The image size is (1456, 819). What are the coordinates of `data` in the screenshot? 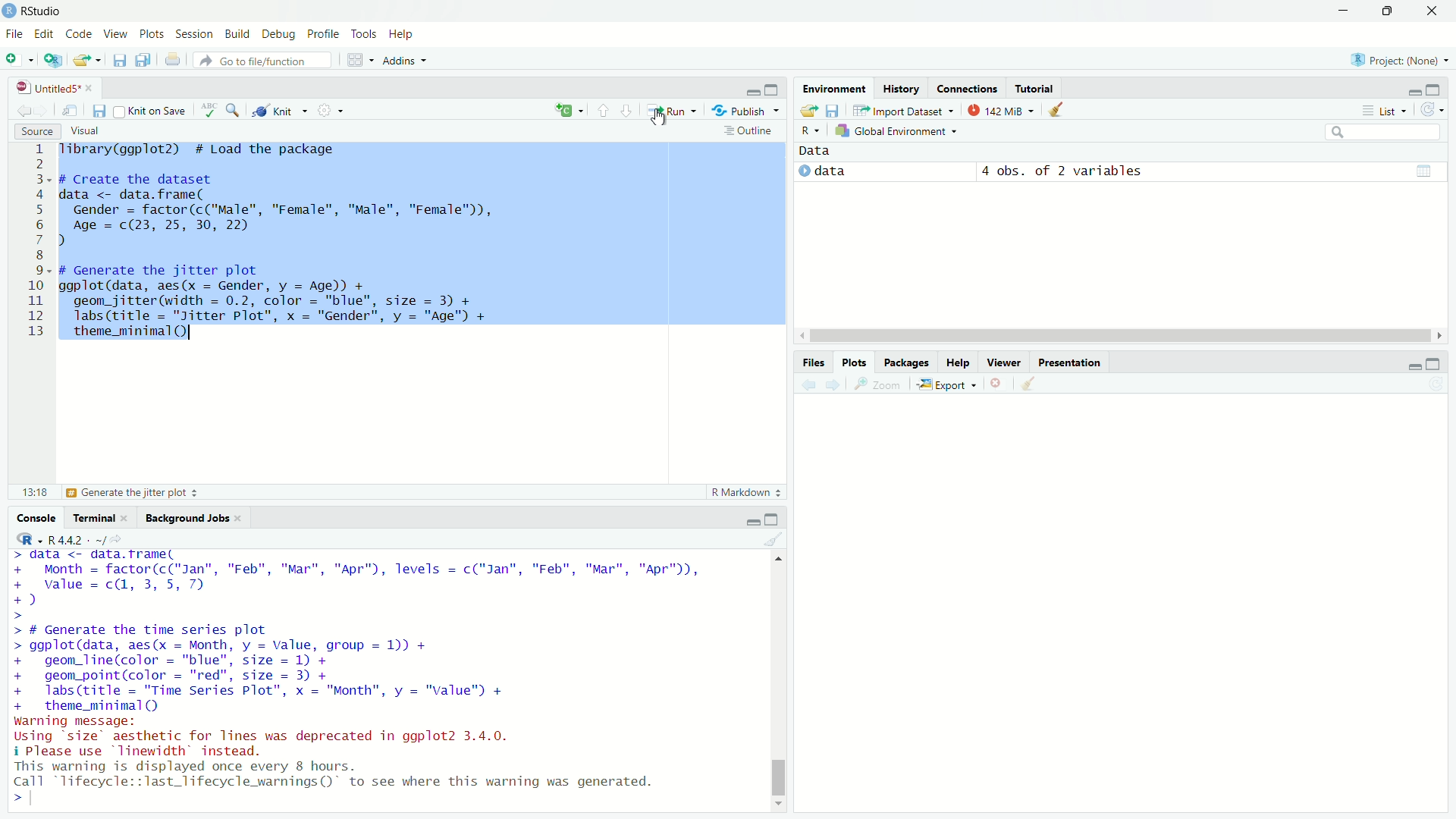 It's located at (826, 149).